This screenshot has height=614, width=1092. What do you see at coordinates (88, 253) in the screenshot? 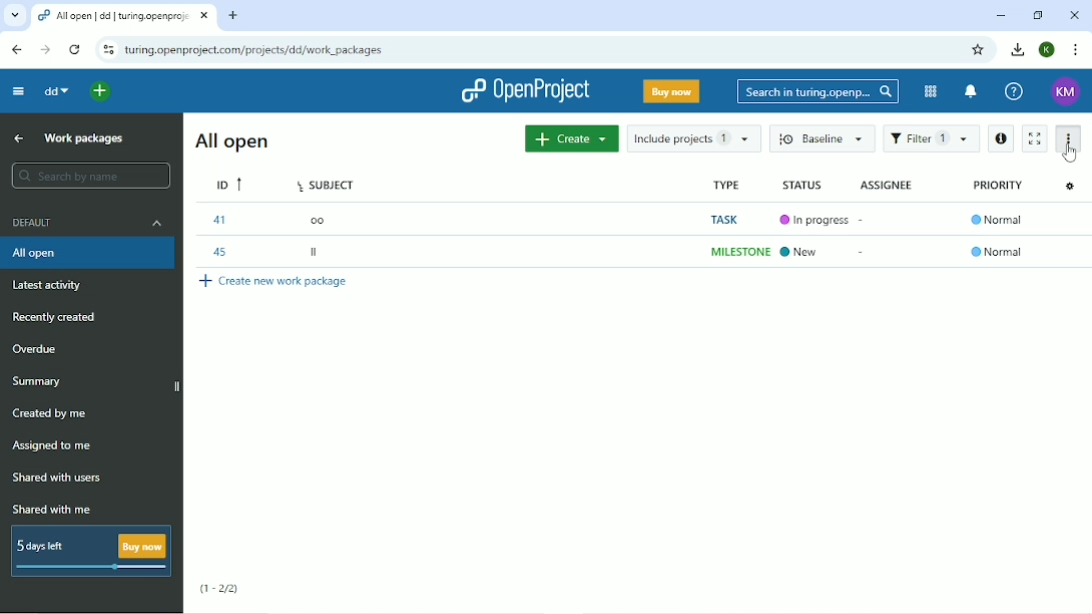
I see `All open` at bounding box center [88, 253].